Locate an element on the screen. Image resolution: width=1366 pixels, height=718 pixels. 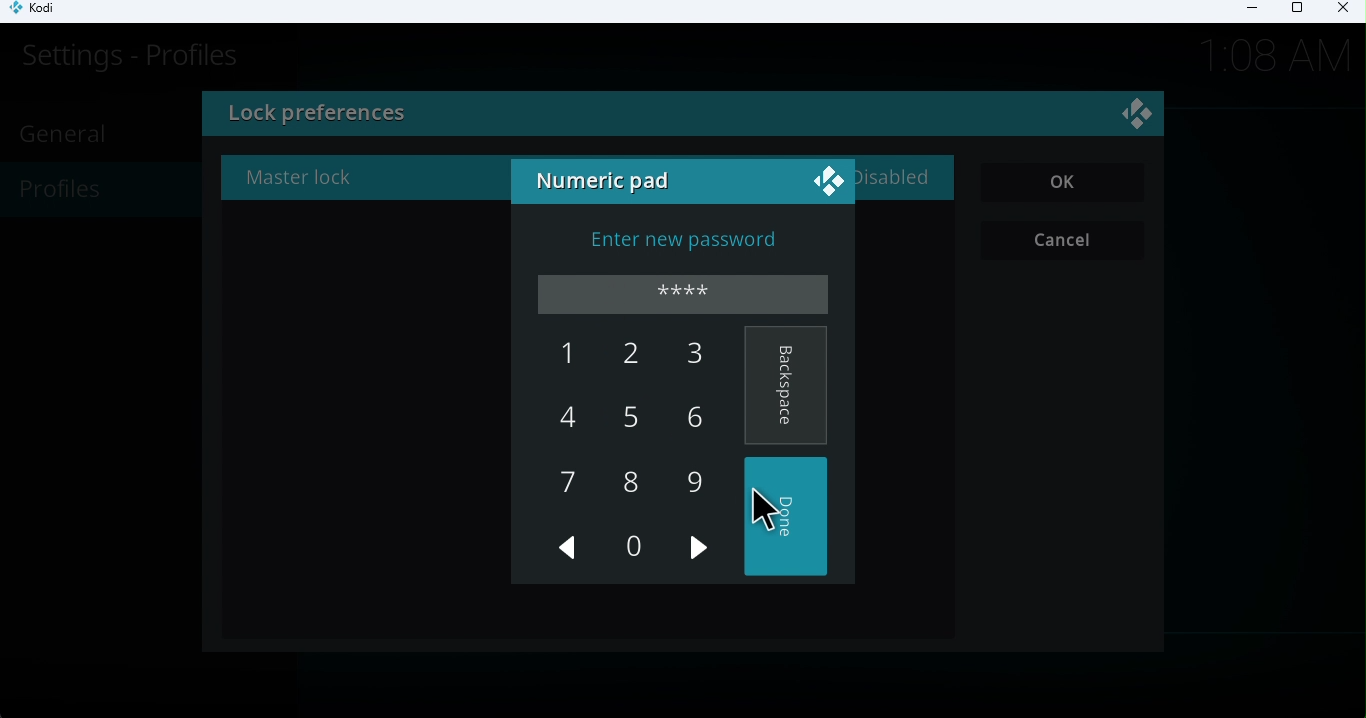
3 is located at coordinates (683, 356).